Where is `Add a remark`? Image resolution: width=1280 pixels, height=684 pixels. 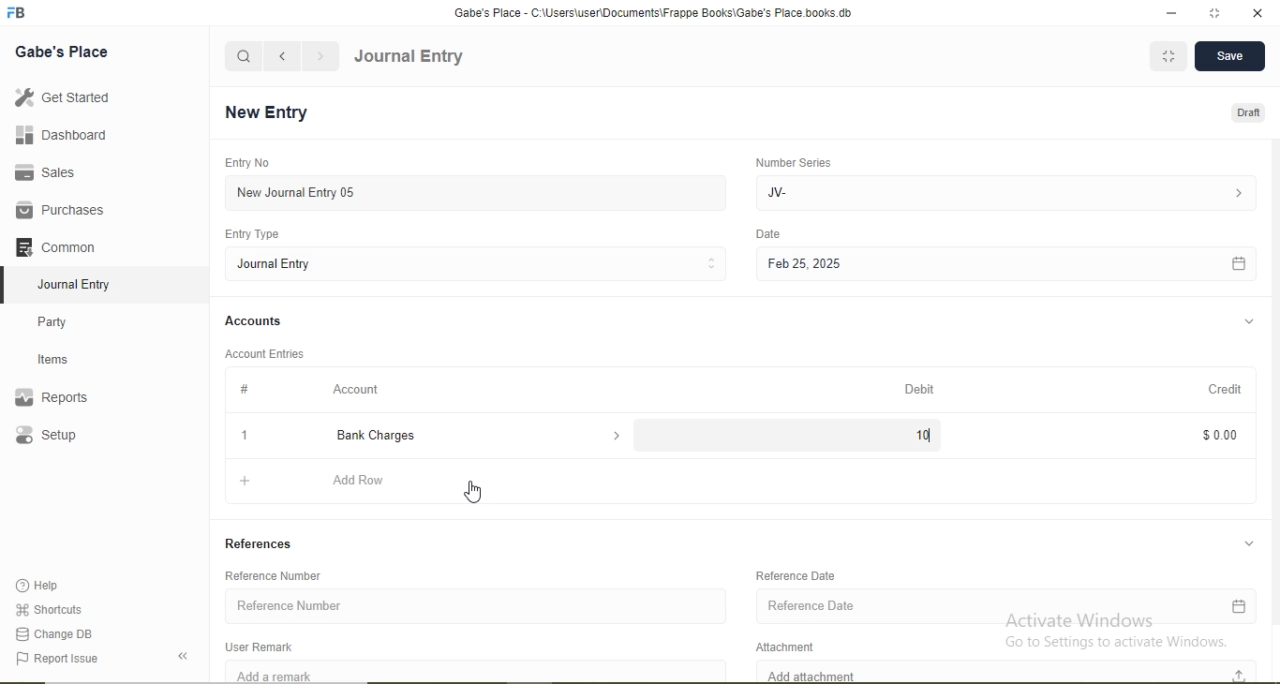 Add a remark is located at coordinates (476, 671).